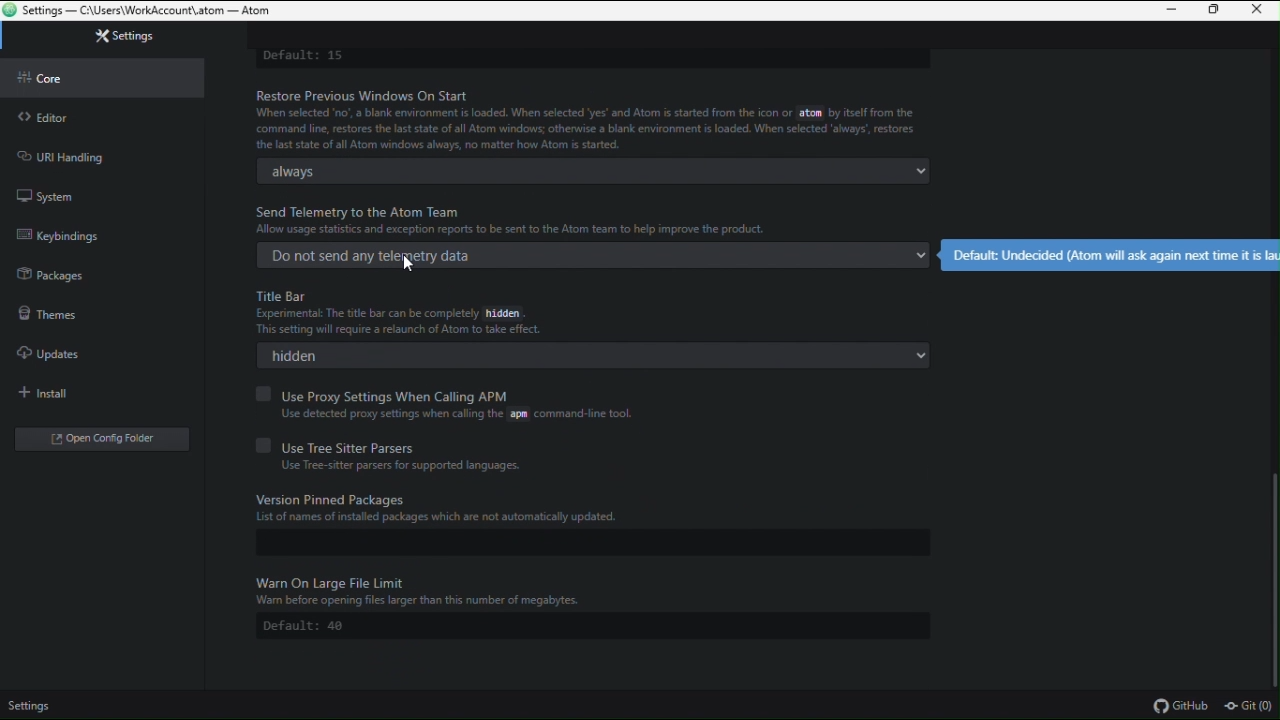 This screenshot has height=720, width=1280. I want to click on  Settings — C:\Users\WorkAccount\.atom — Atom, so click(151, 10).